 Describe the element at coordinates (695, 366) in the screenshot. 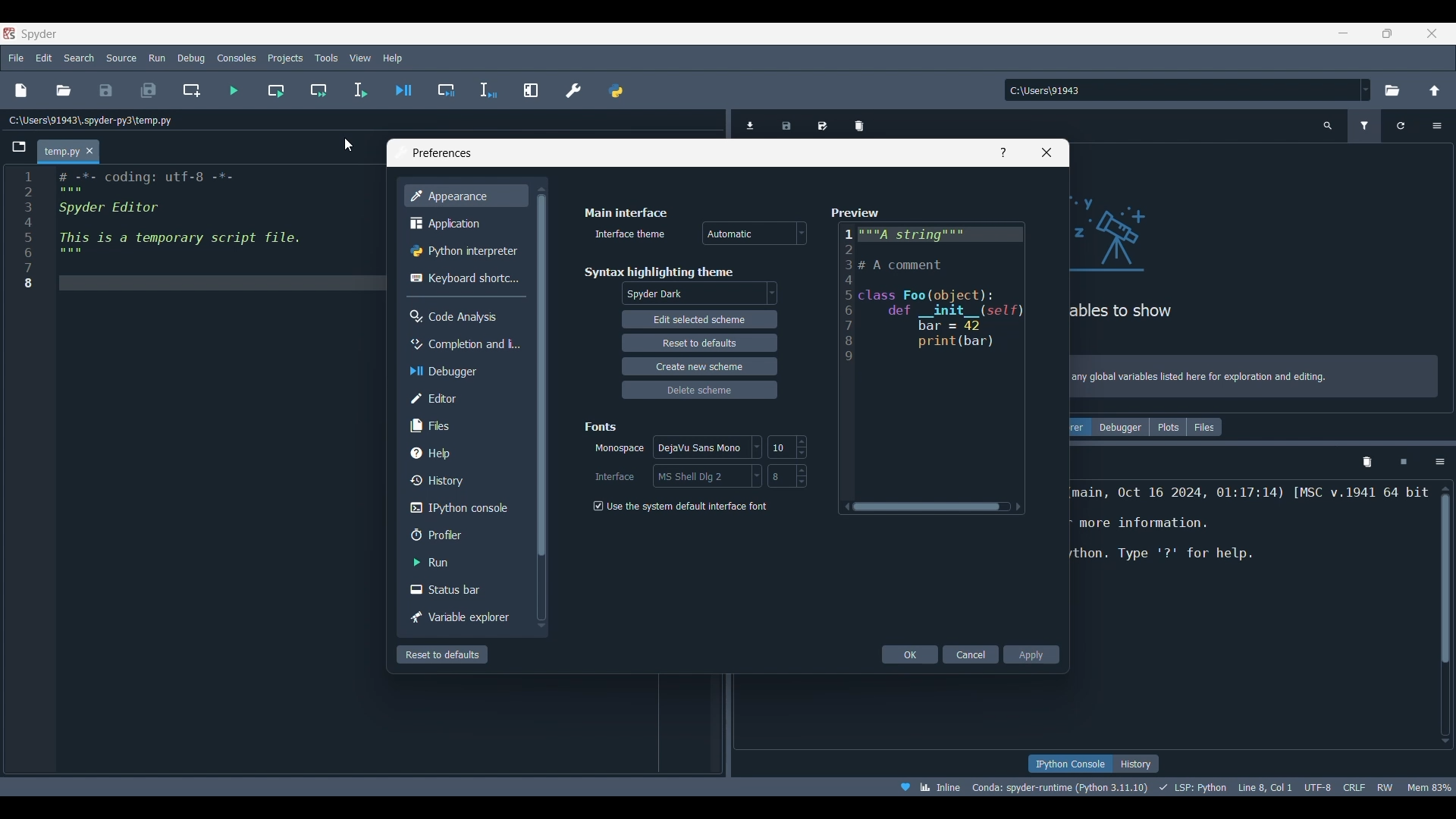

I see `create new scheme` at that location.